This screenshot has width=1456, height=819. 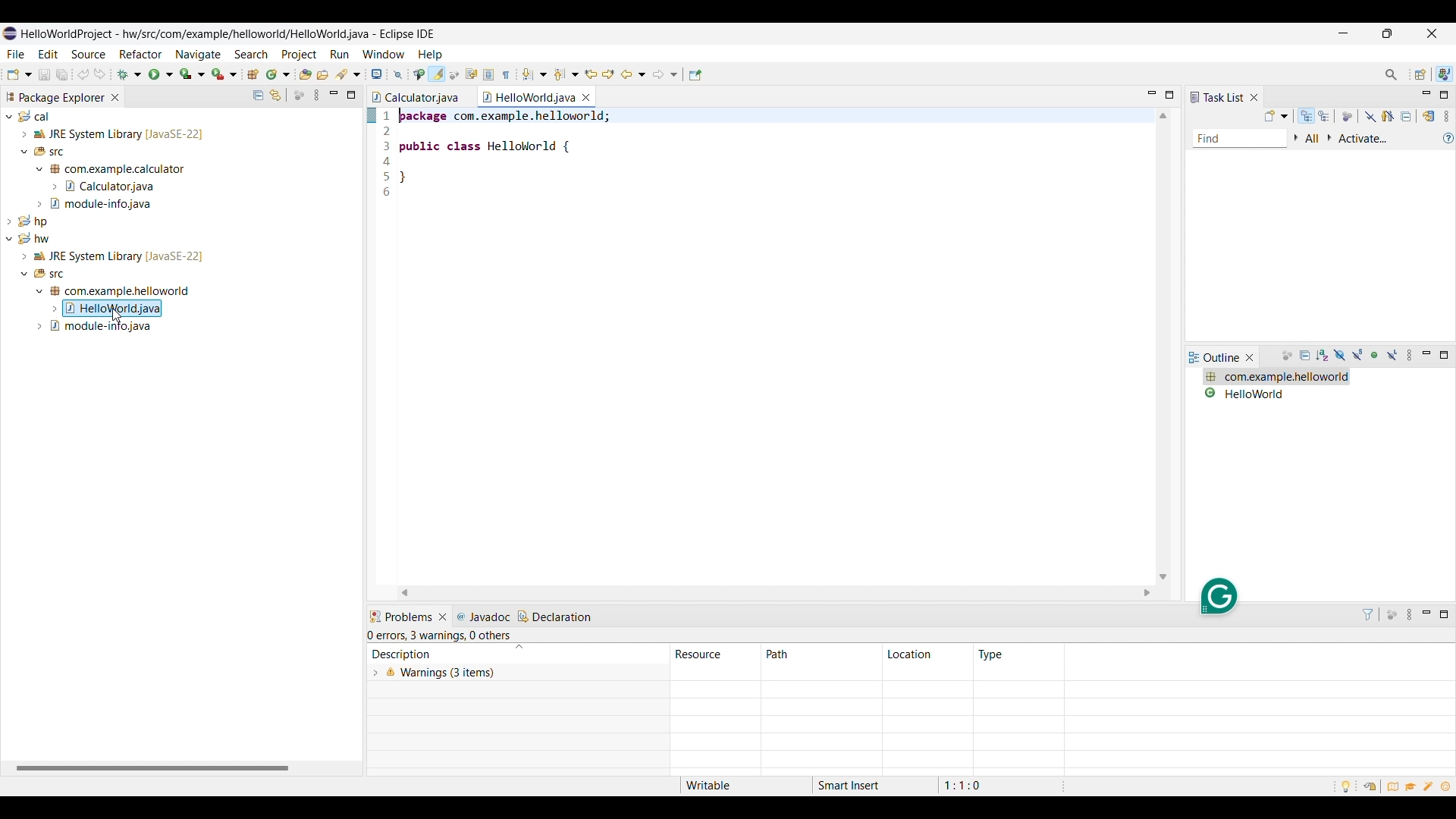 I want to click on calculator.java, so click(x=416, y=97).